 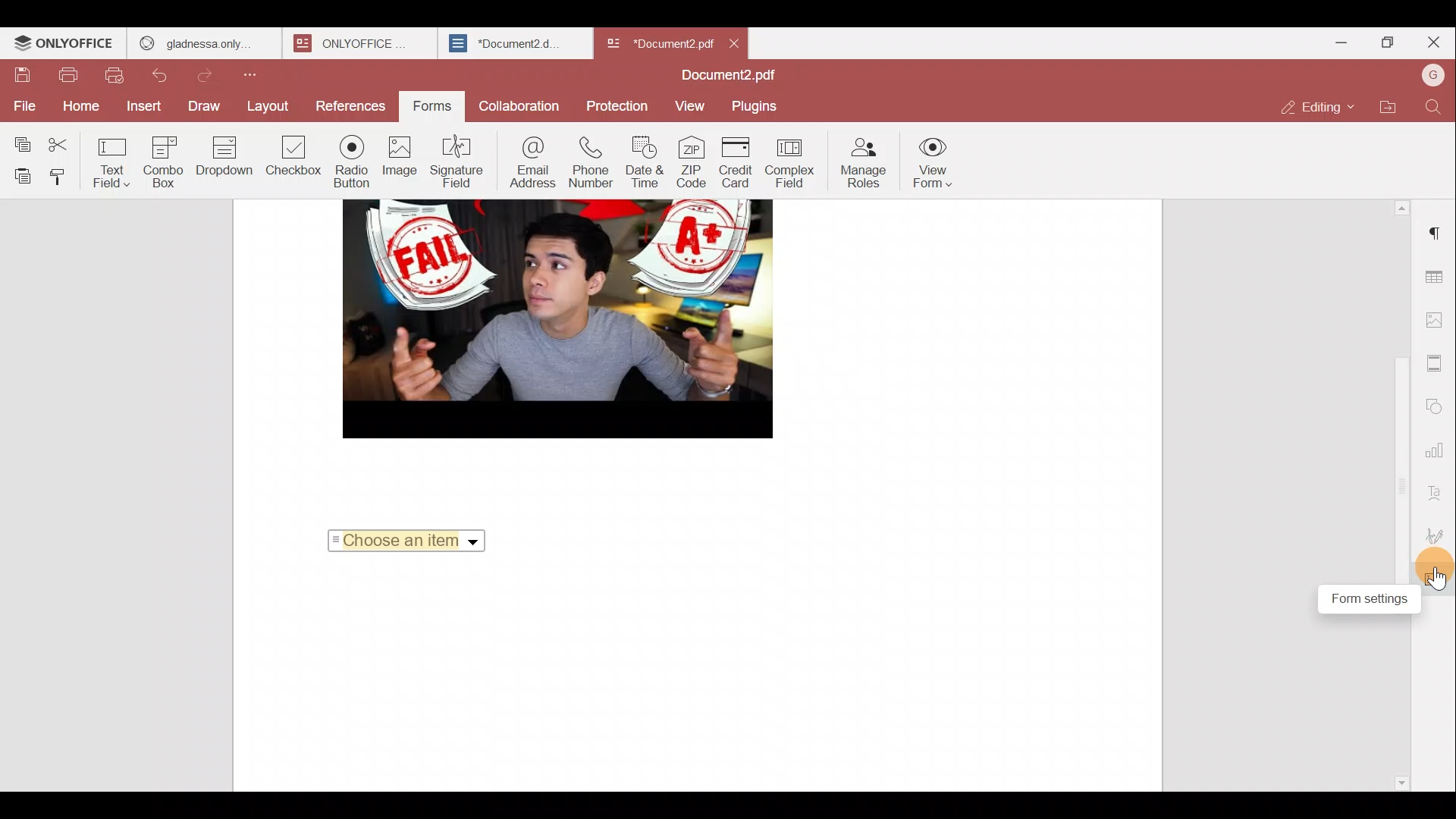 I want to click on Form settings, so click(x=1437, y=577).